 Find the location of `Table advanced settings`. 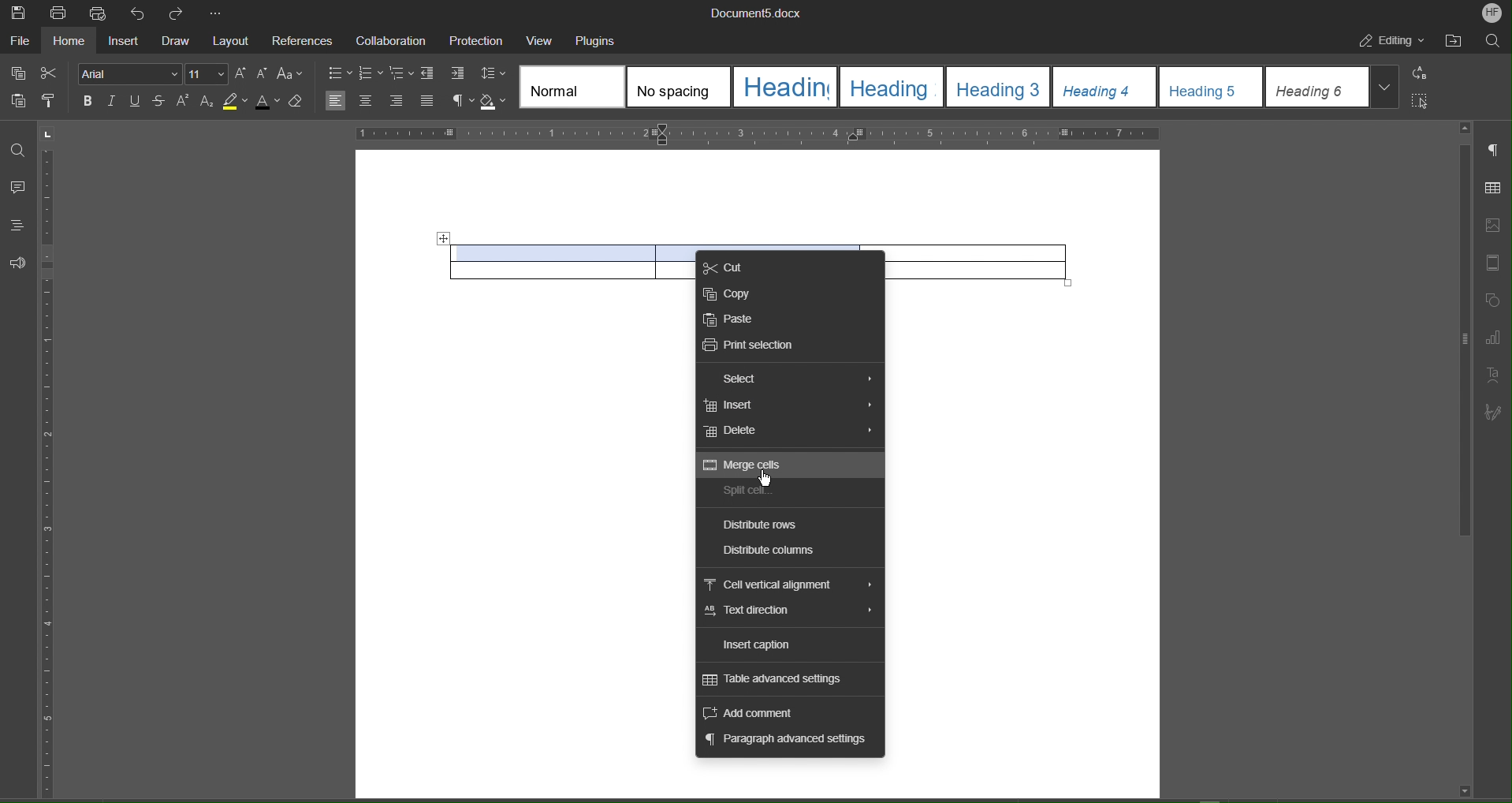

Table advanced settings is located at coordinates (784, 682).